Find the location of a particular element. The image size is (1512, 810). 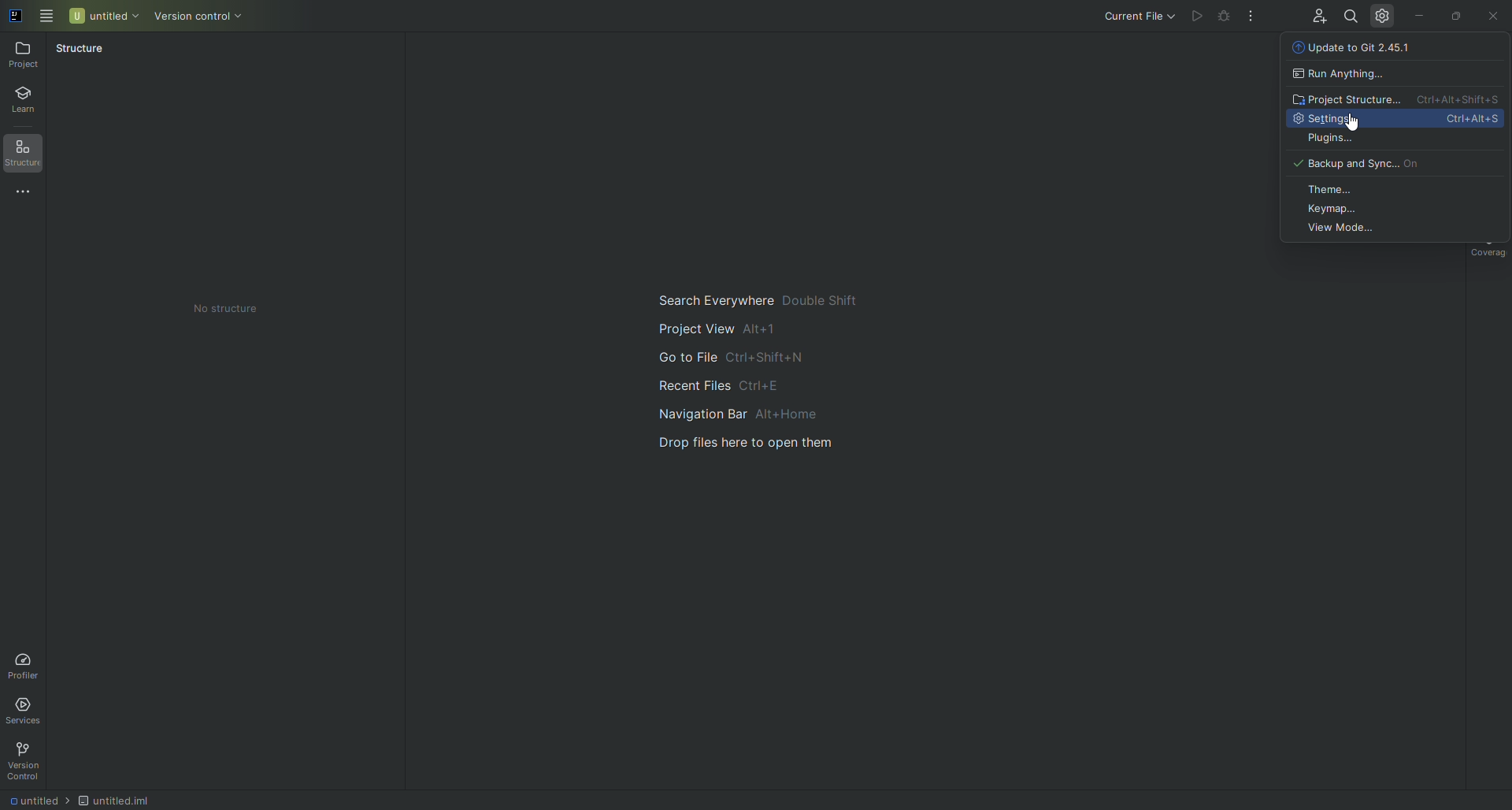

Restore is located at coordinates (1459, 15).